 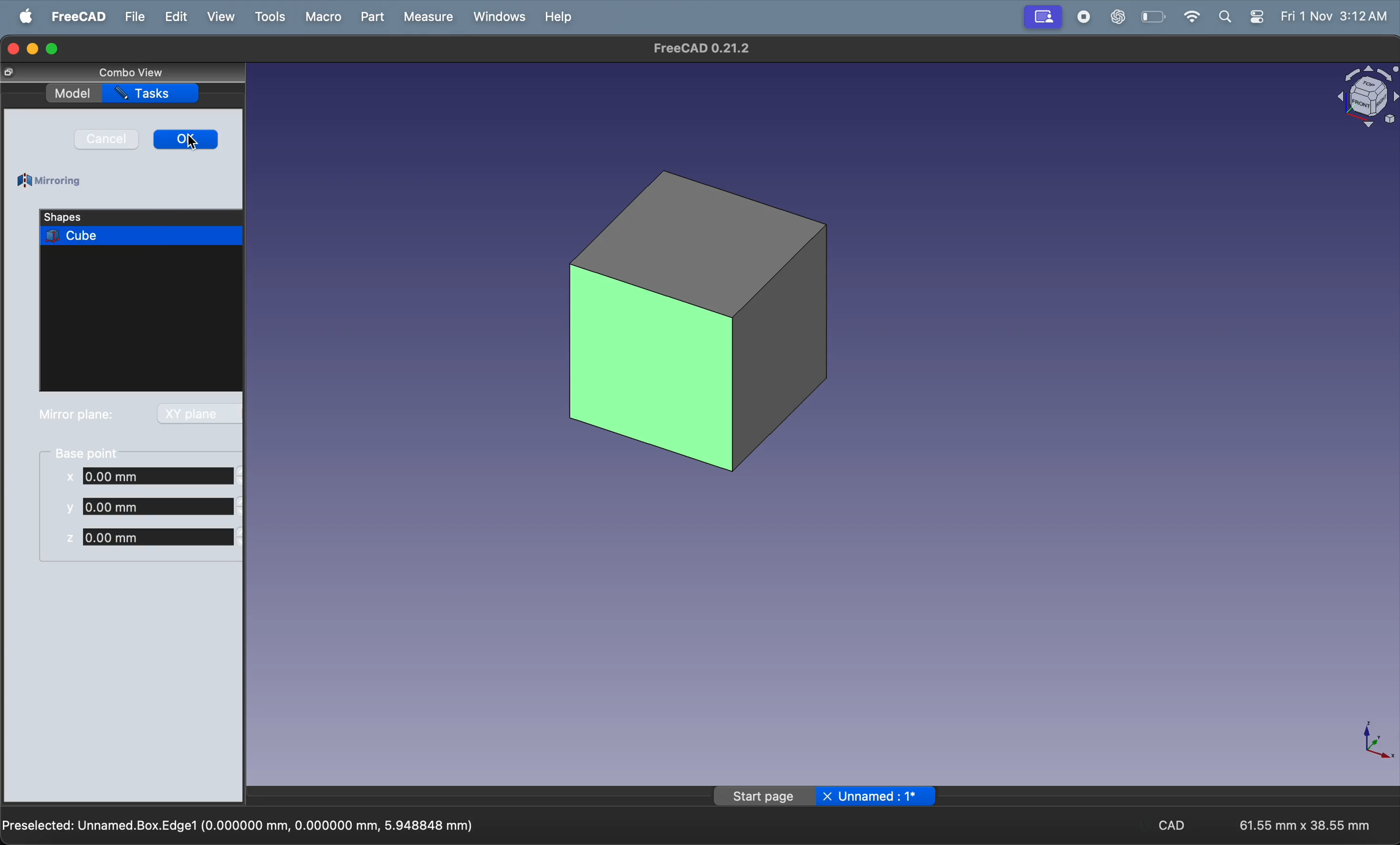 I want to click on resize, so click(x=10, y=72).